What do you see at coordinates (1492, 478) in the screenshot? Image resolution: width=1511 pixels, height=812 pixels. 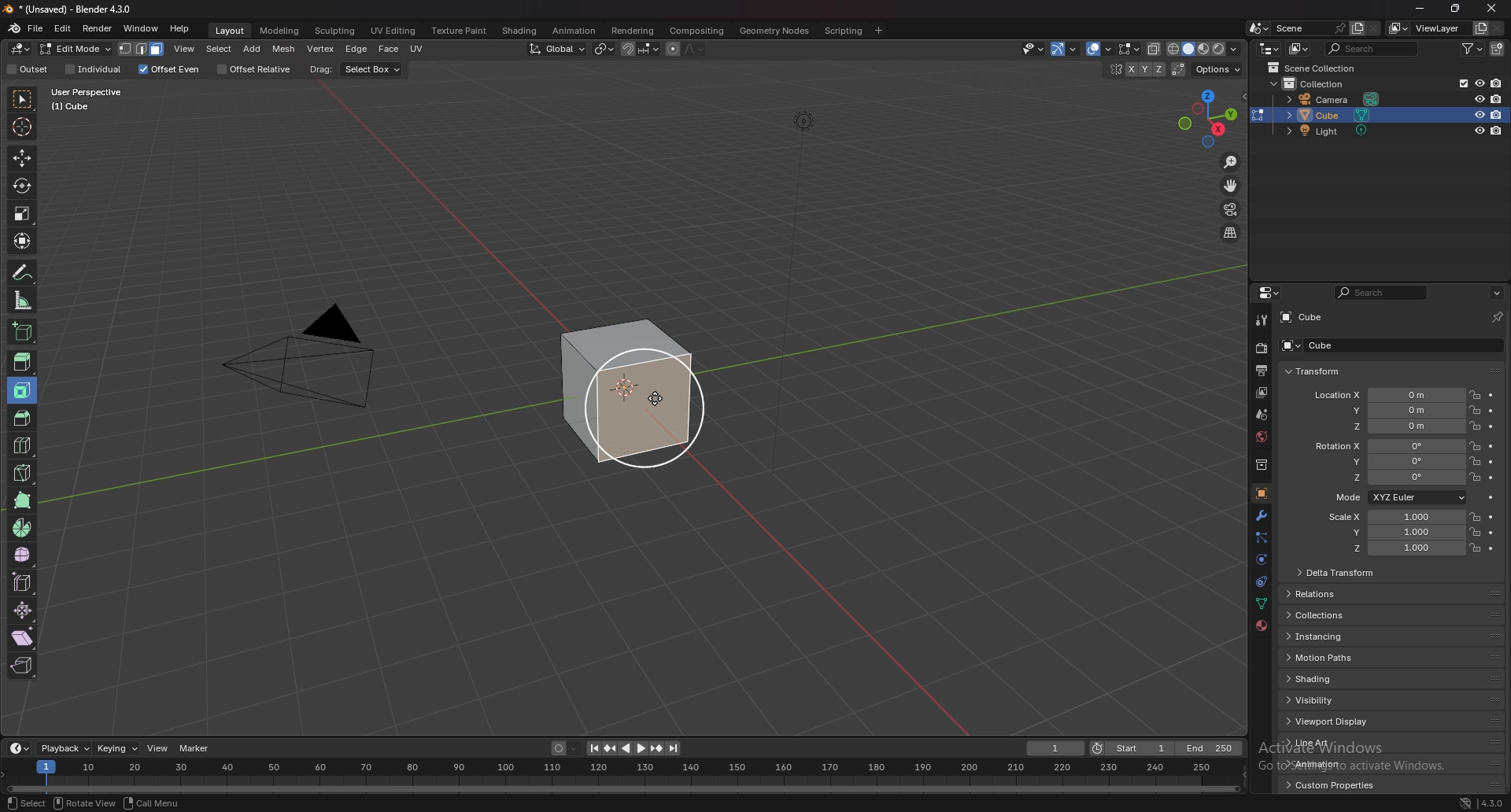 I see `animate property` at bounding box center [1492, 478].